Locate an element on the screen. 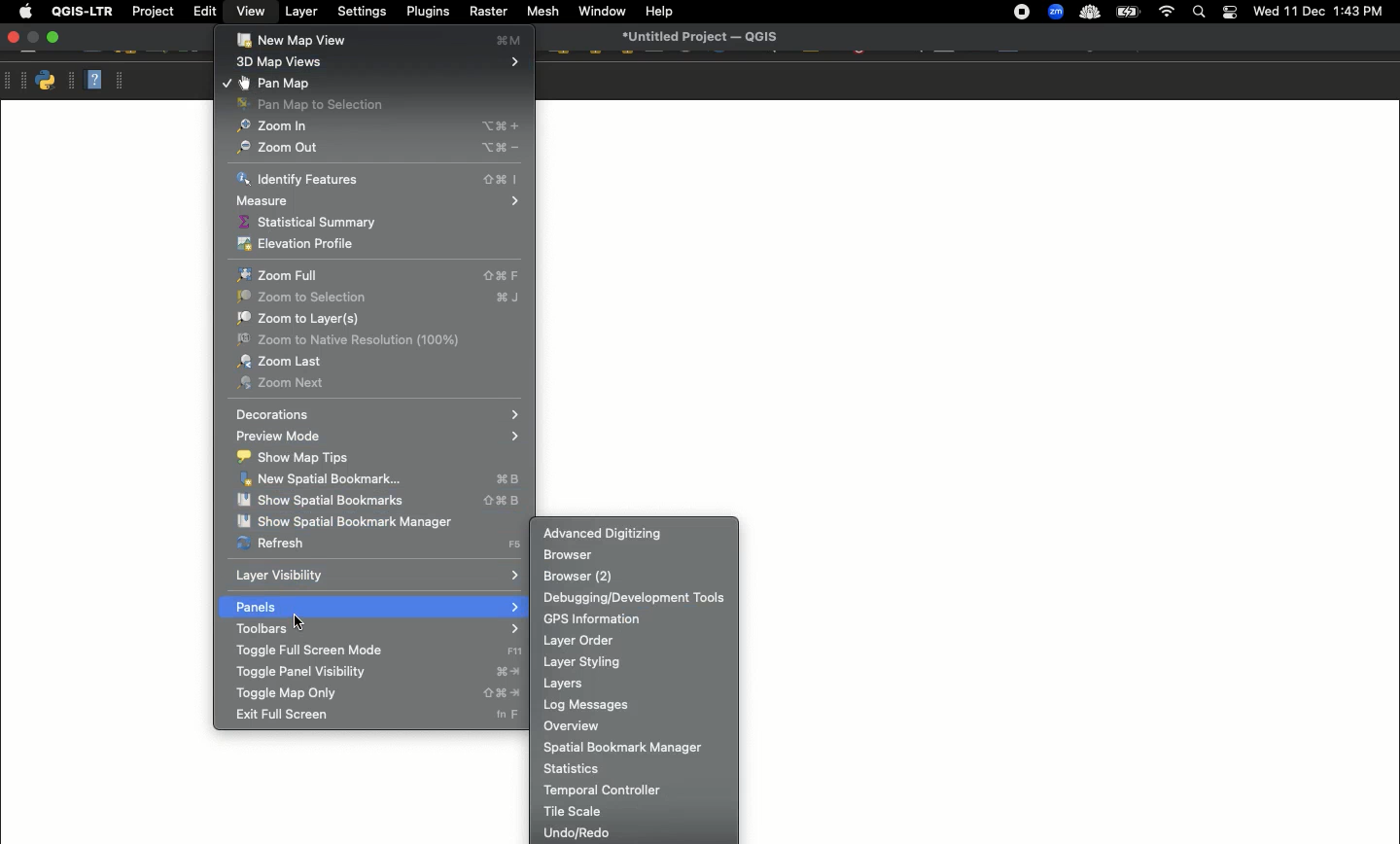 Image resolution: width=1400 pixels, height=844 pixels.  is located at coordinates (9, 82).